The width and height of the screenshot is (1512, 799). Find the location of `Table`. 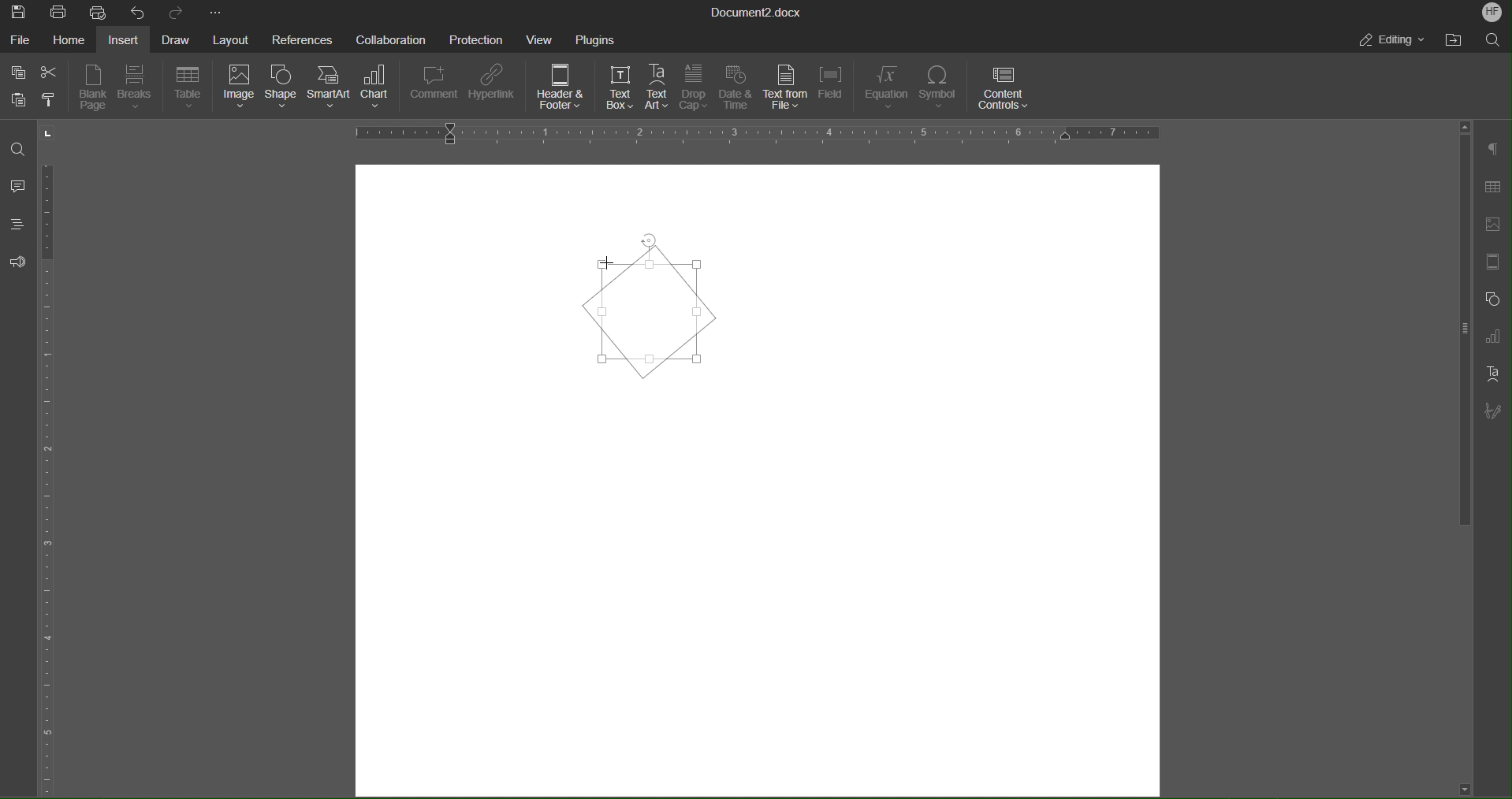

Table is located at coordinates (189, 88).